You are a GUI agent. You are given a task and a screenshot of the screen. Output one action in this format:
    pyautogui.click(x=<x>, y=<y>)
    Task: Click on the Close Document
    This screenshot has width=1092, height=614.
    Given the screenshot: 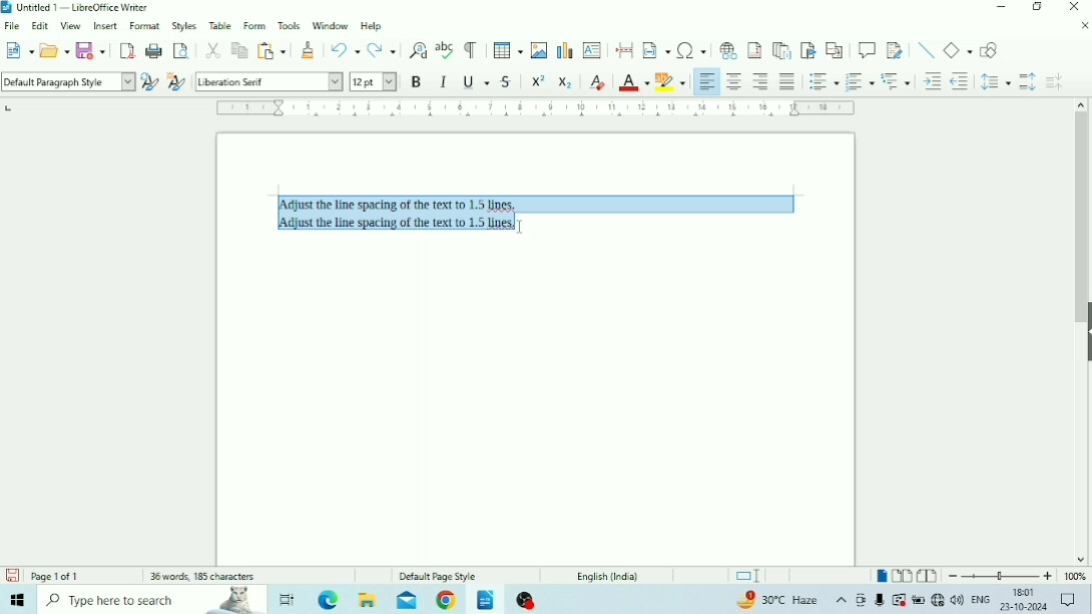 What is the action you would take?
    pyautogui.click(x=1083, y=26)
    